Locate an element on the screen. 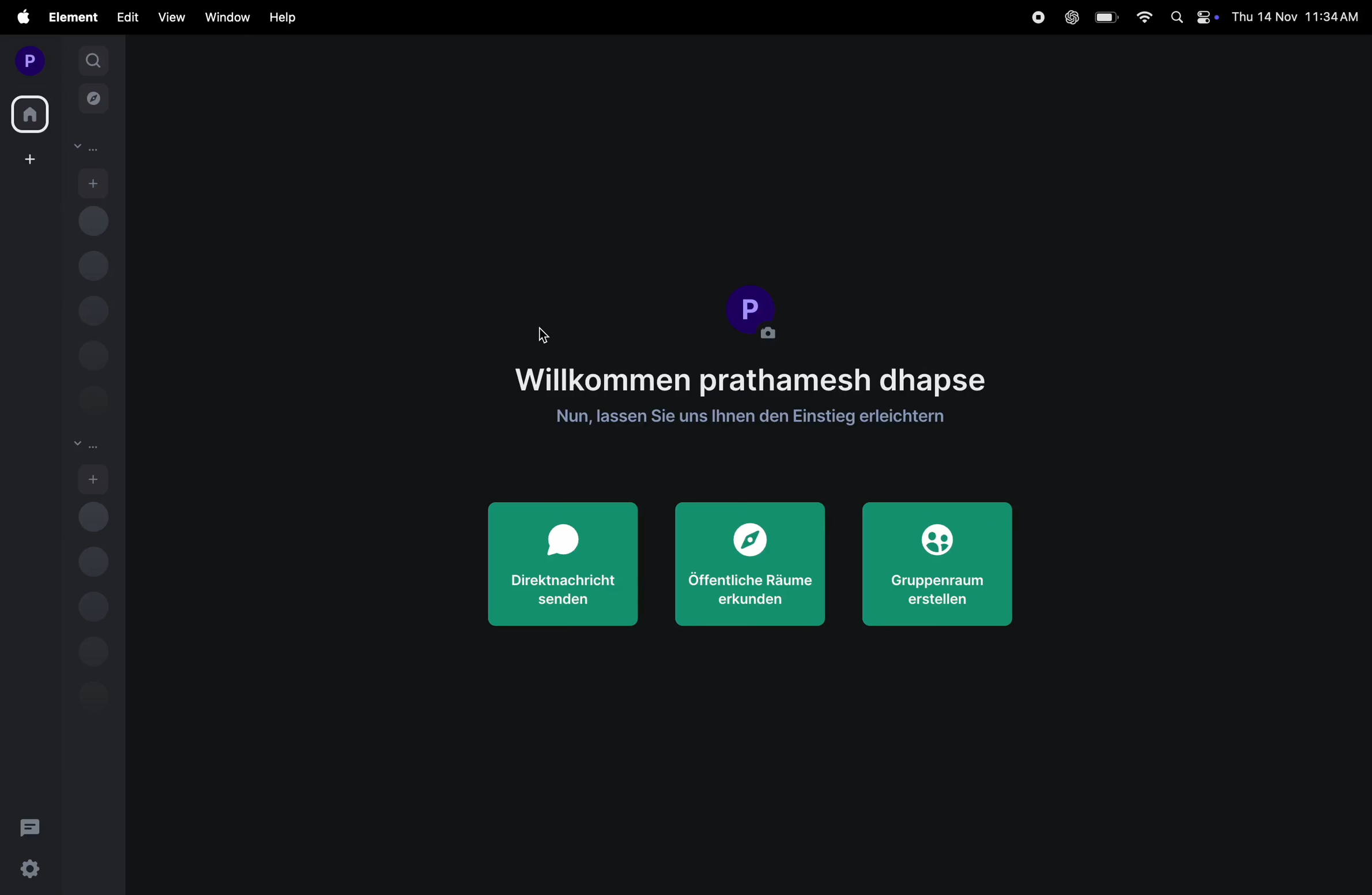 This screenshot has width=1372, height=895. send direct msg is located at coordinates (563, 563).